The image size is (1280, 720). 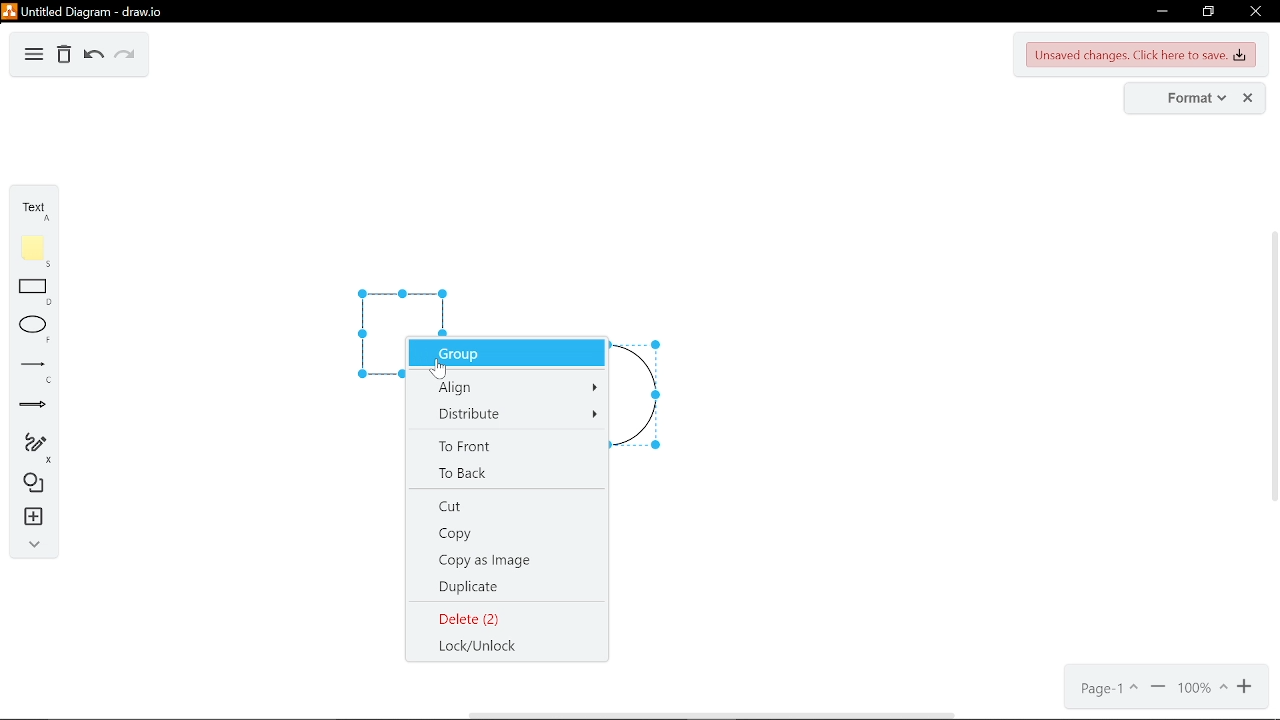 What do you see at coordinates (506, 588) in the screenshot?
I see `duplicate` at bounding box center [506, 588].